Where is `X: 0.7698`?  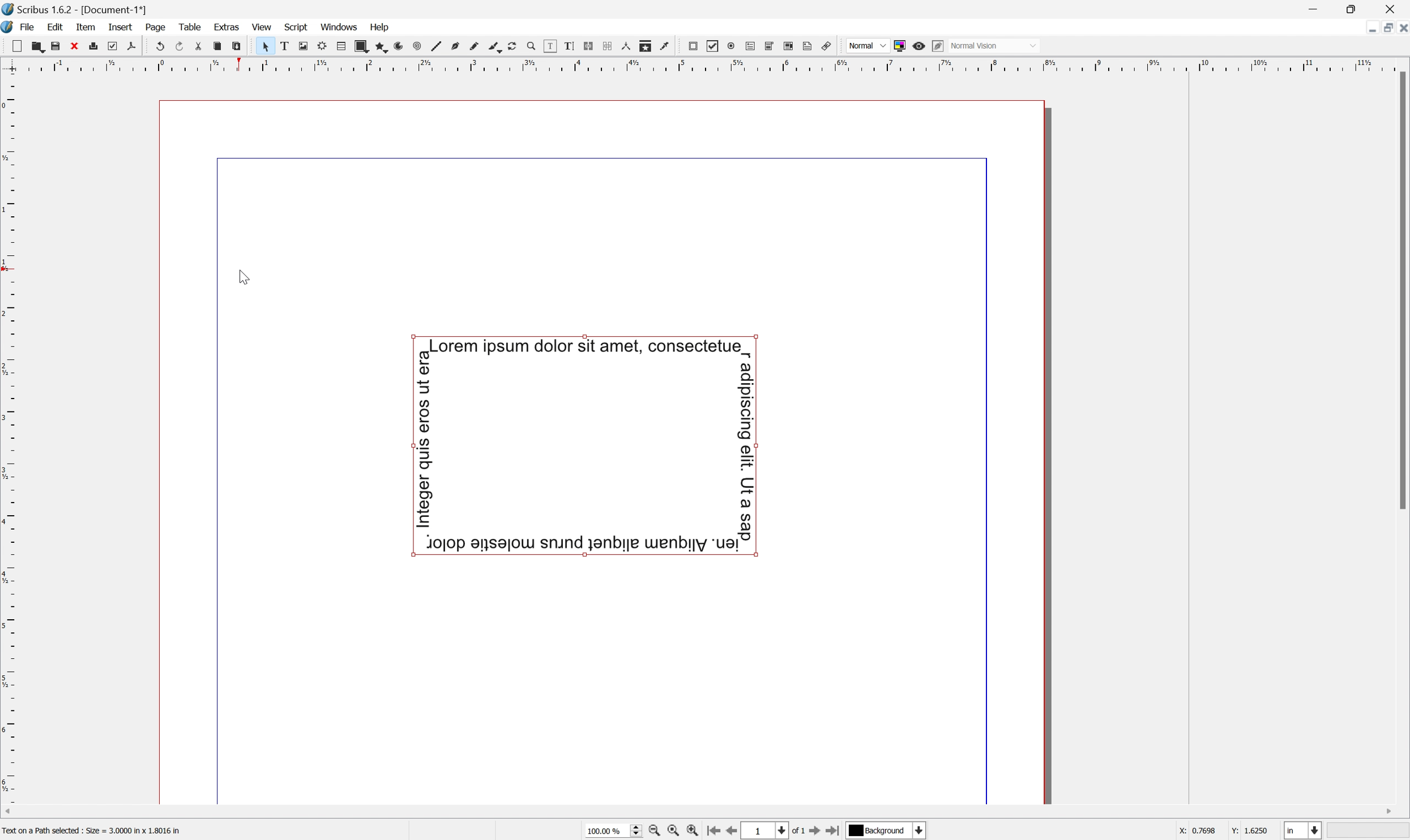 X: 0.7698 is located at coordinates (1198, 832).